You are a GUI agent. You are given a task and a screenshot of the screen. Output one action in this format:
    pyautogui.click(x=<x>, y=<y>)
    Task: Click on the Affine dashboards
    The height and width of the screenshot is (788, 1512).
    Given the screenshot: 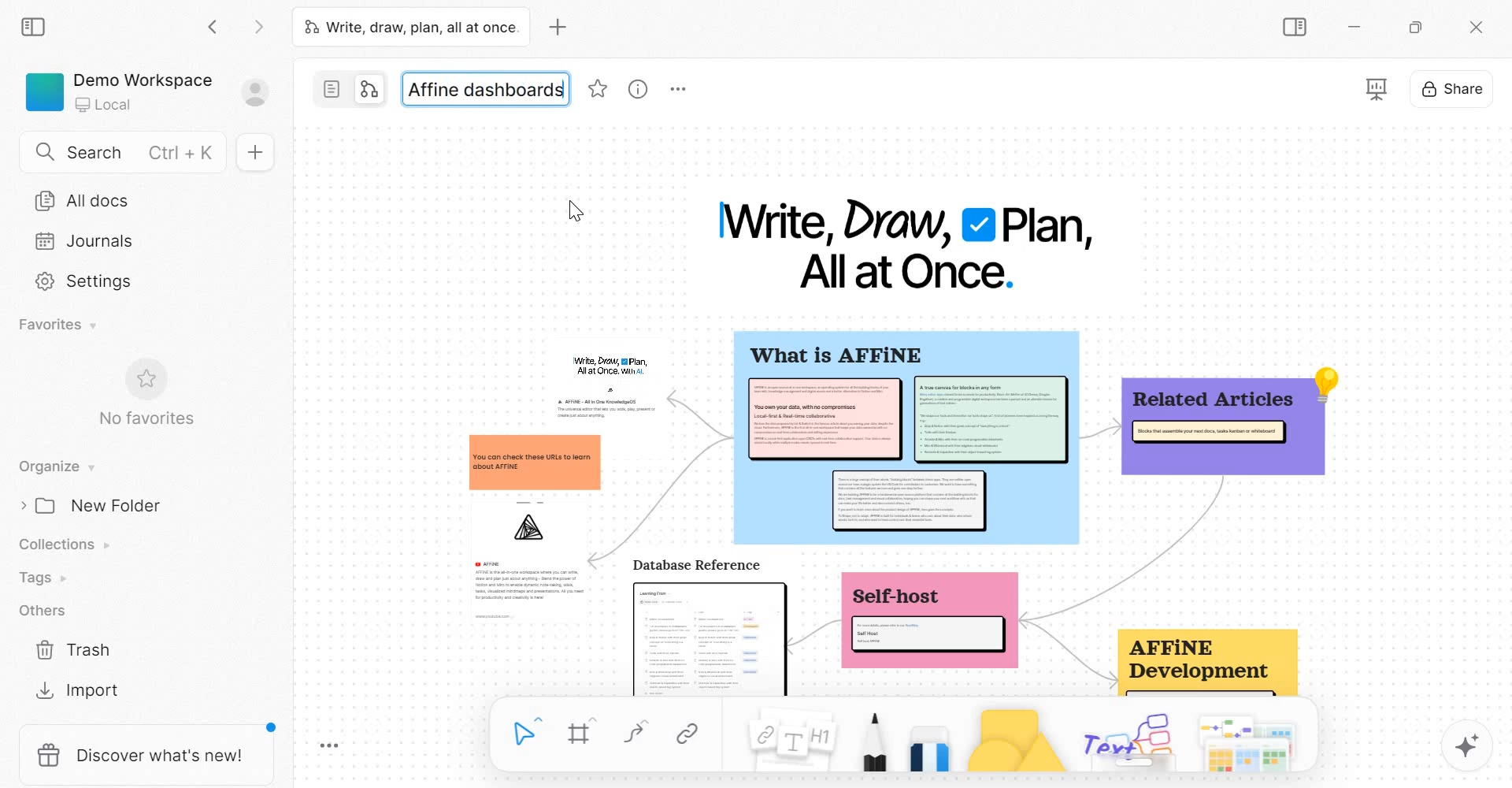 What is the action you would take?
    pyautogui.click(x=488, y=88)
    